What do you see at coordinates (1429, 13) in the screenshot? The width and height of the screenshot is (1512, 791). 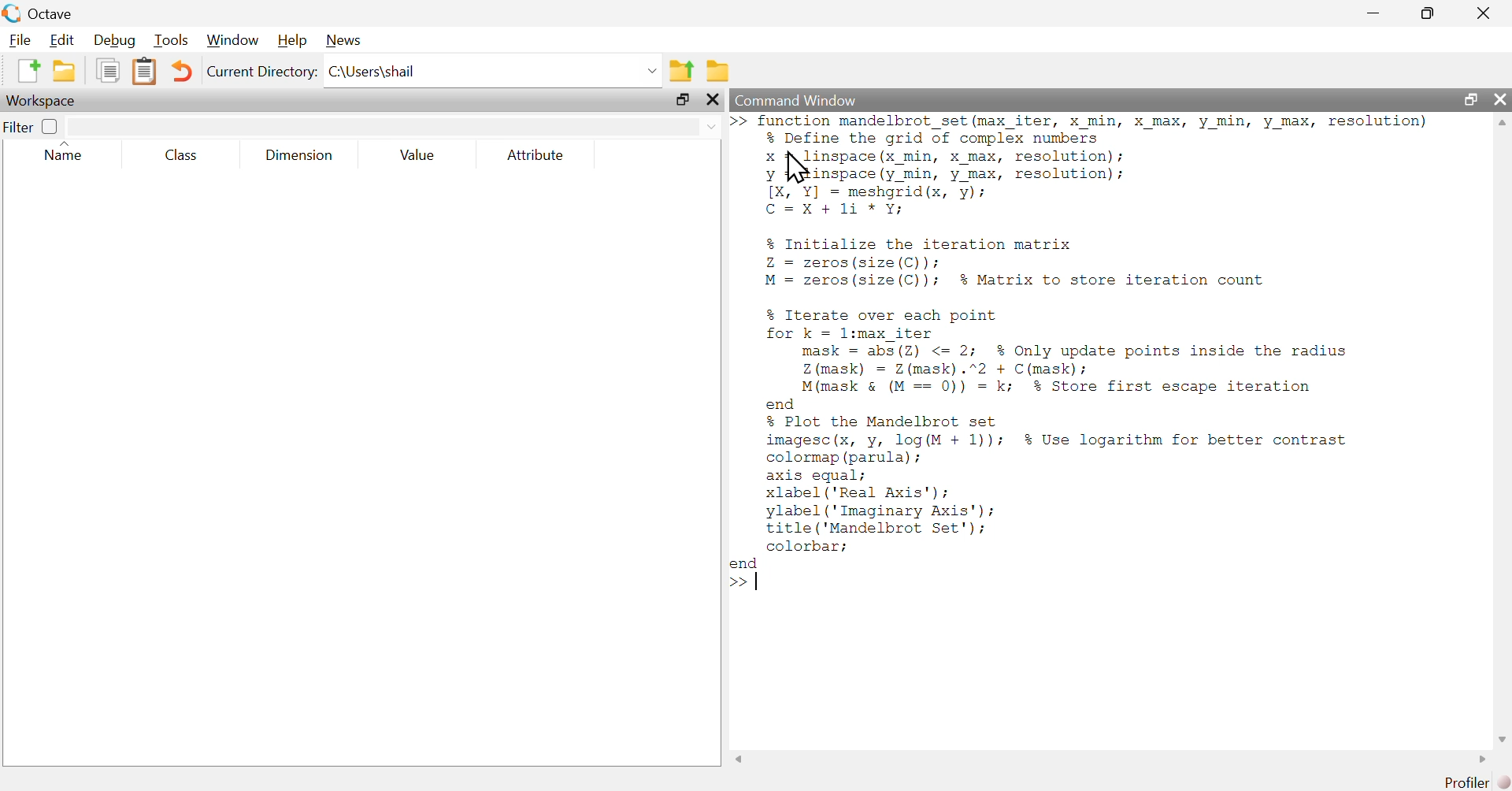 I see `maximize` at bounding box center [1429, 13].